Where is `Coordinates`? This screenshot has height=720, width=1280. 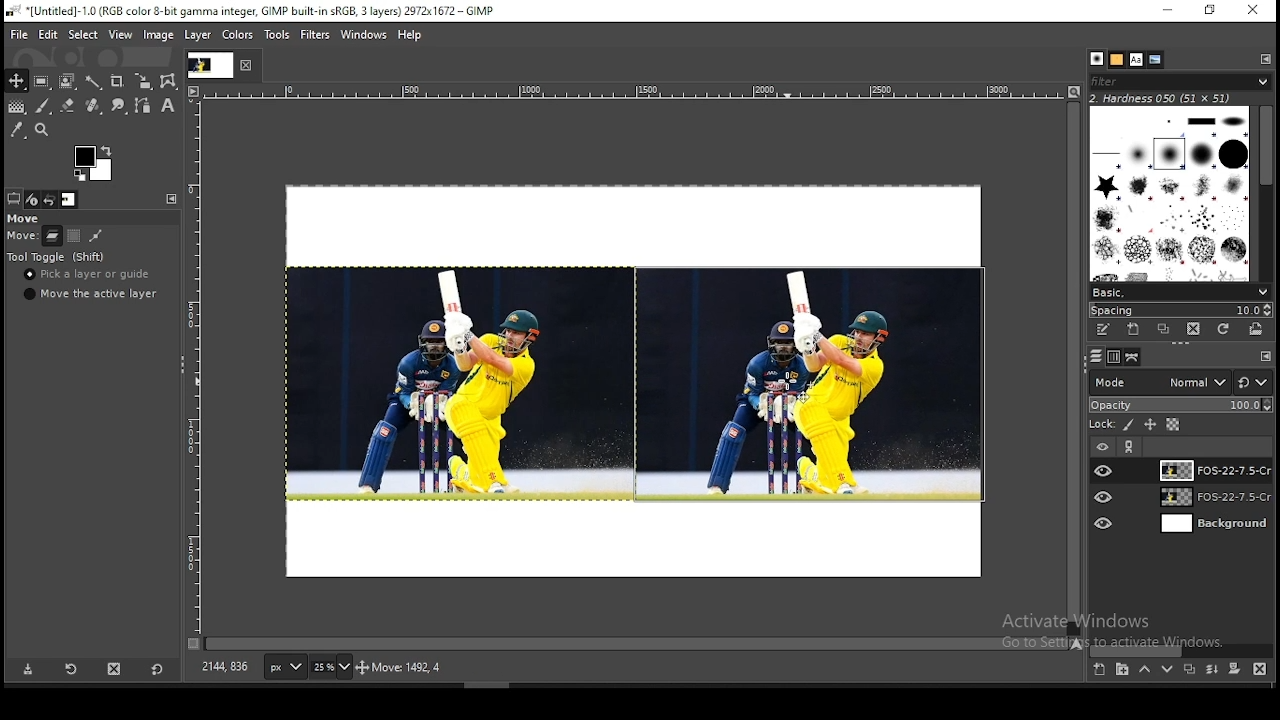 Coordinates is located at coordinates (226, 667).